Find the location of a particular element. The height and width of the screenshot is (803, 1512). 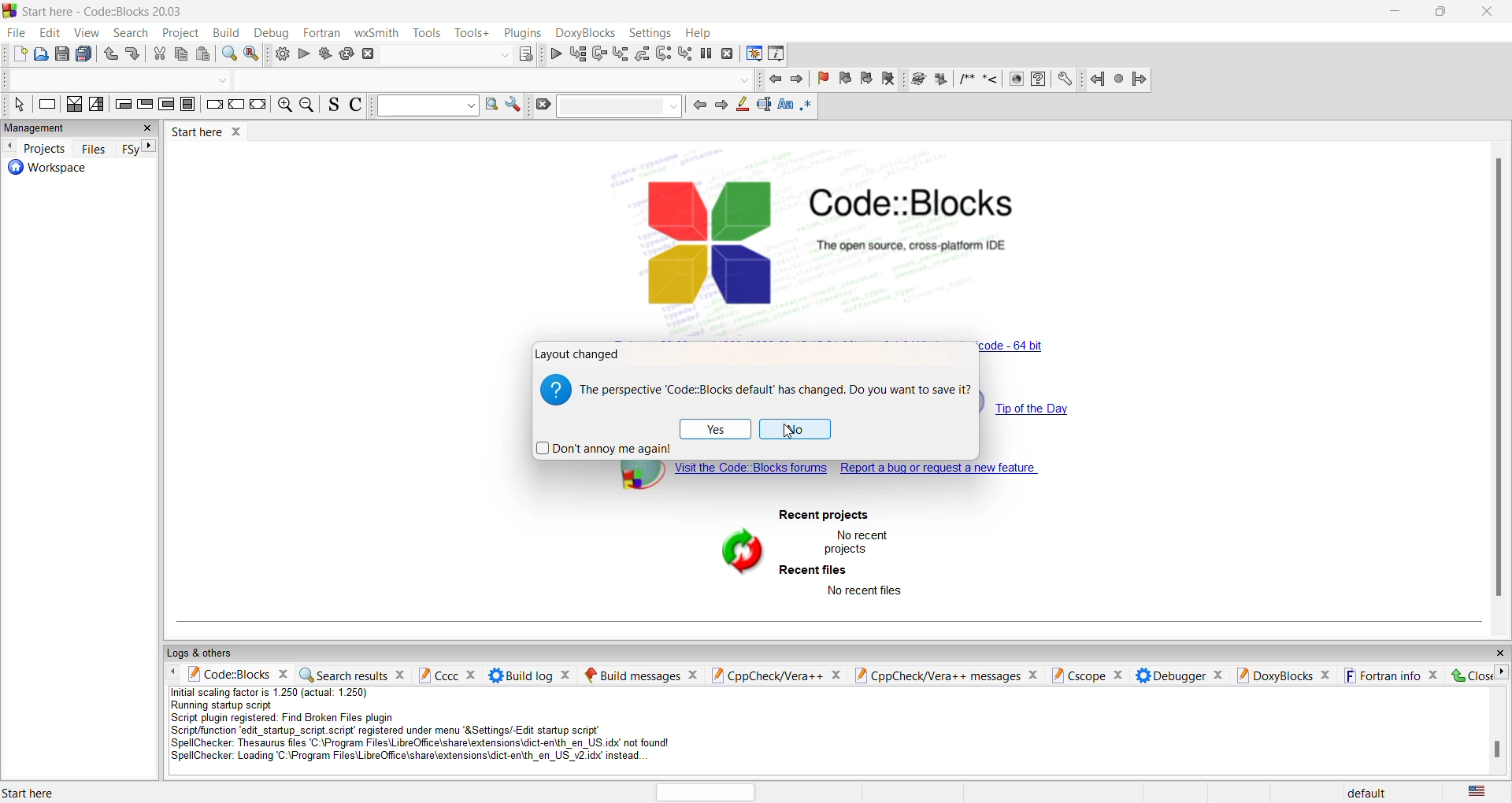

select is located at coordinates (18, 105).